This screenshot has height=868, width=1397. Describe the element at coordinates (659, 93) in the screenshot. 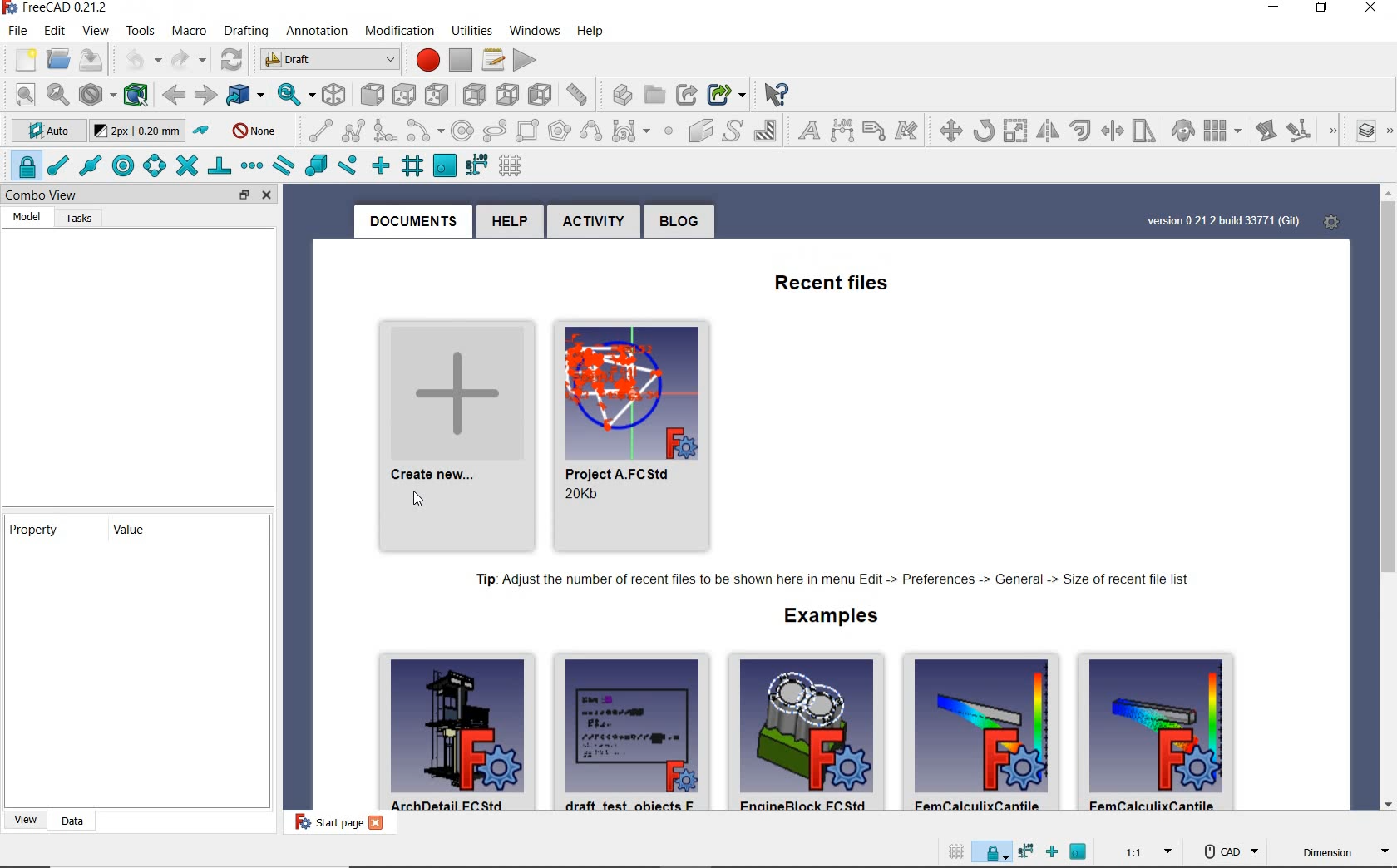

I see `make link` at that location.